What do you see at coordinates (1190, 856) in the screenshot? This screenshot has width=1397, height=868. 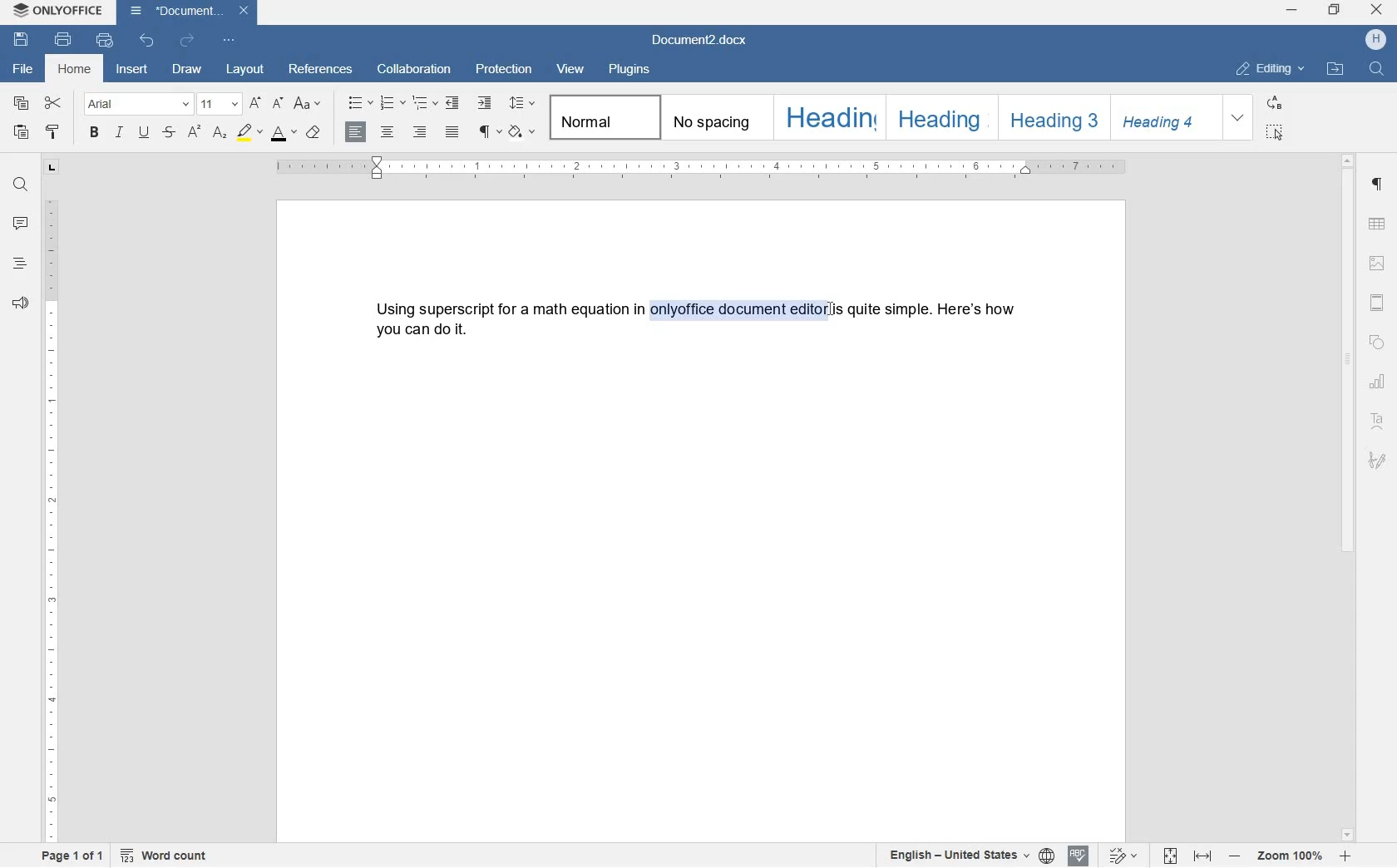 I see `fit to page or fit to width` at bounding box center [1190, 856].